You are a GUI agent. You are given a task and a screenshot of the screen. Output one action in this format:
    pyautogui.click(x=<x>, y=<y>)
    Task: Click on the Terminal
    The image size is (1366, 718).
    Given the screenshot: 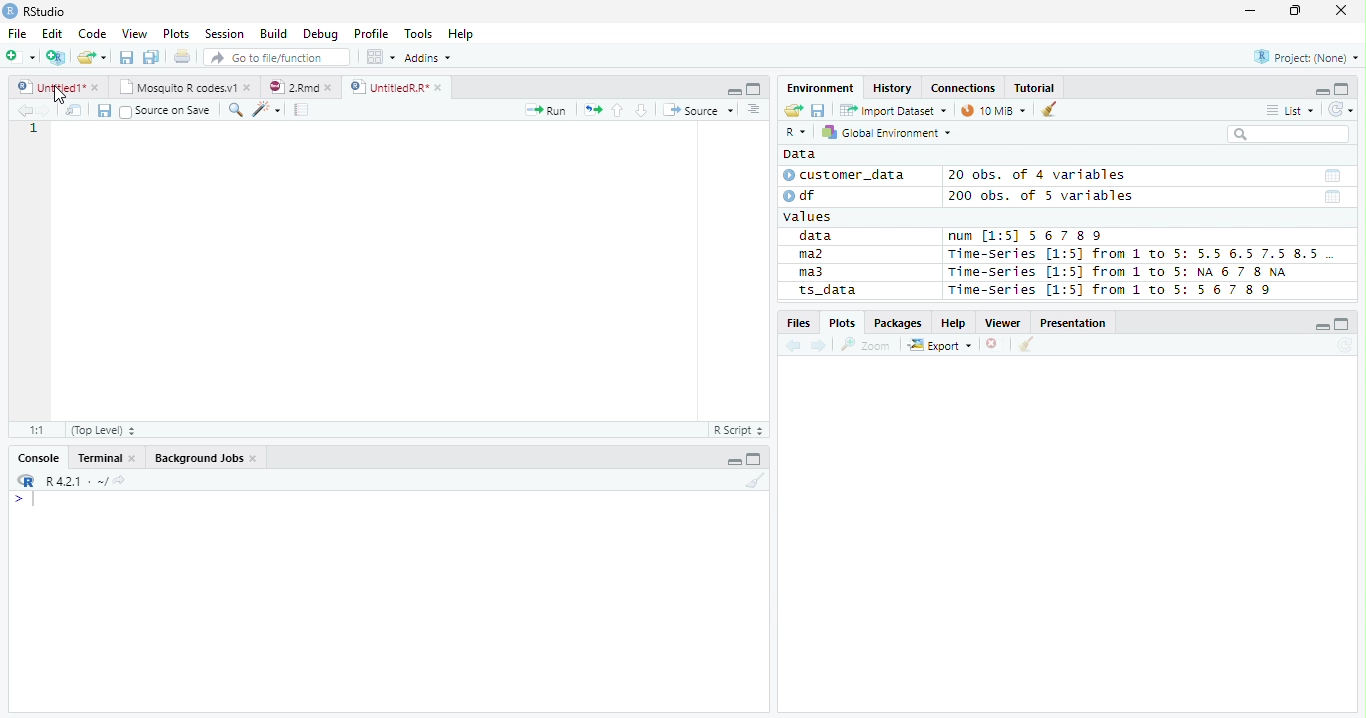 What is the action you would take?
    pyautogui.click(x=106, y=460)
    